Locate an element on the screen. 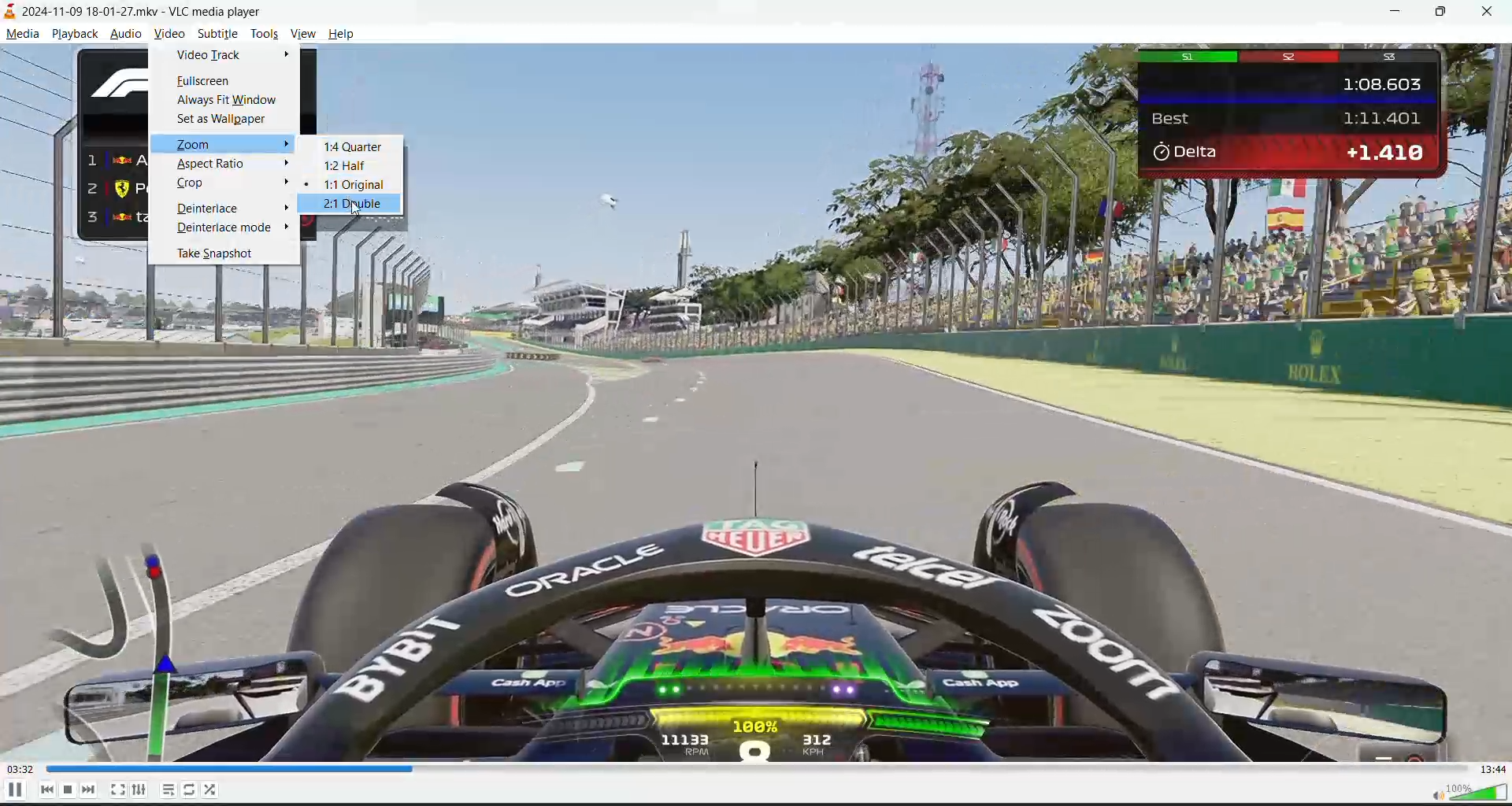 This screenshot has height=806, width=1512. next is located at coordinates (91, 788).